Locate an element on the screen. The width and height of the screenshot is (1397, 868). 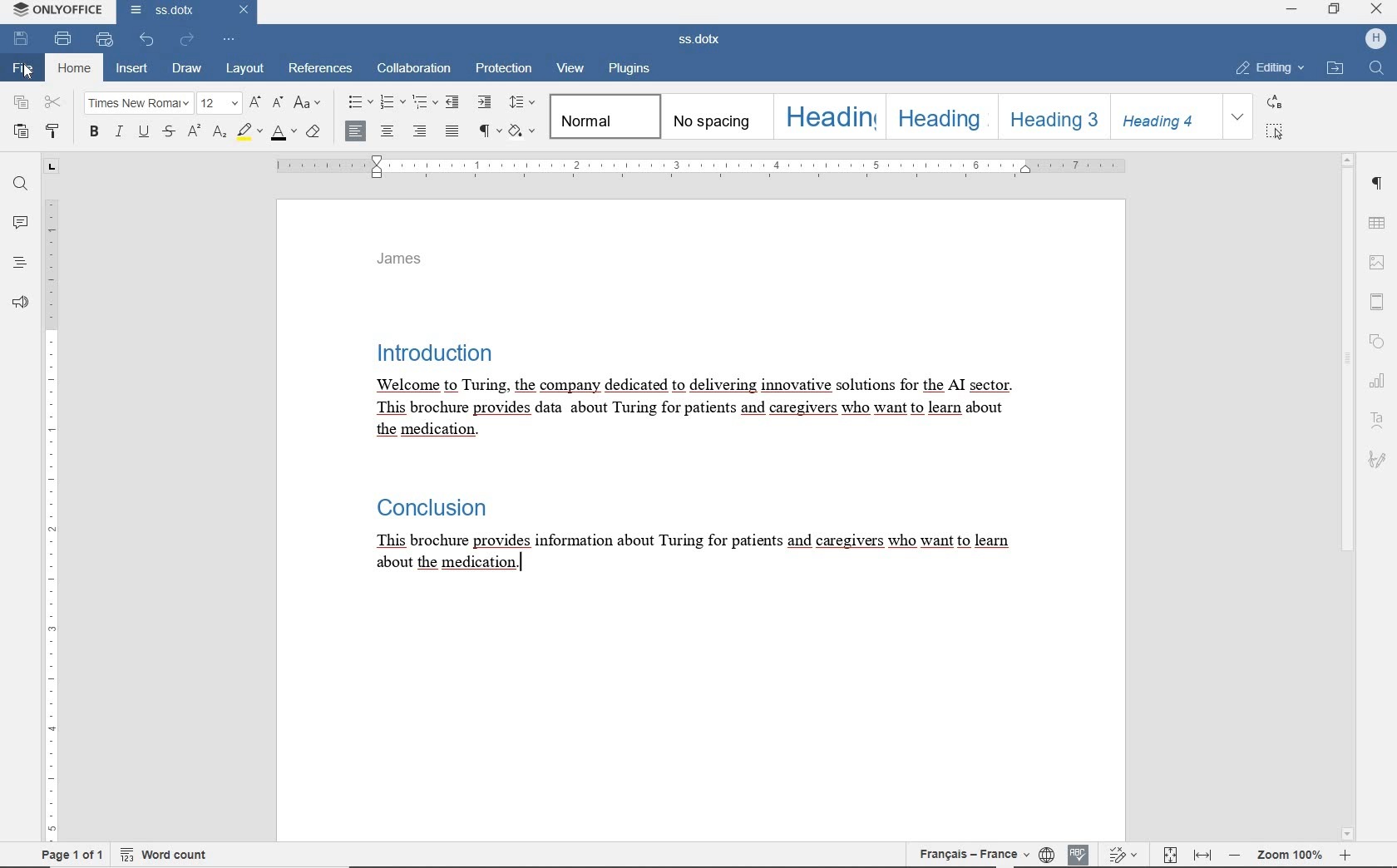
close is located at coordinates (245, 10).